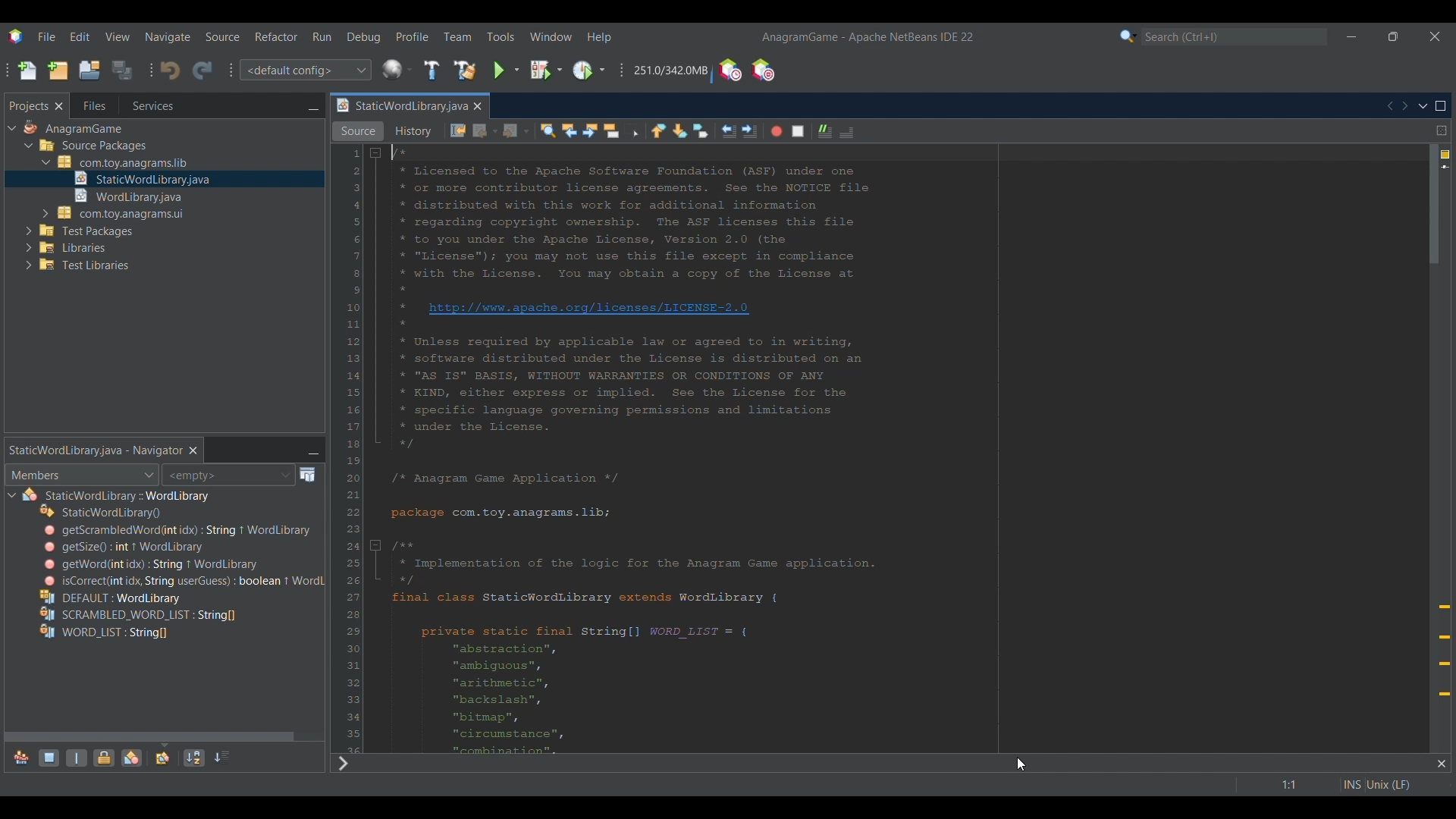 The width and height of the screenshot is (1456, 819). What do you see at coordinates (127, 161) in the screenshot?
I see `` at bounding box center [127, 161].